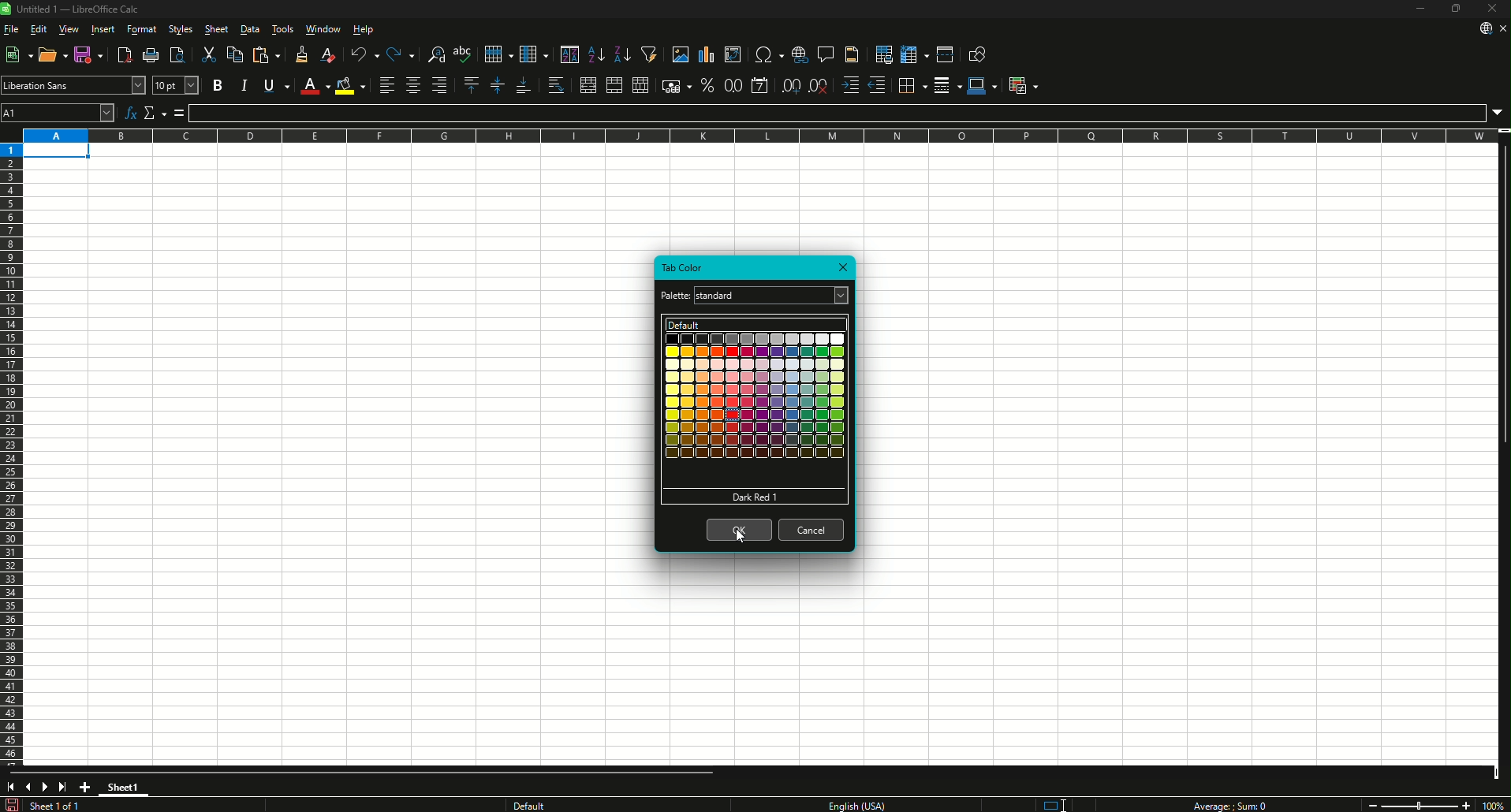 Image resolution: width=1511 pixels, height=812 pixels. I want to click on Default, so click(755, 497).